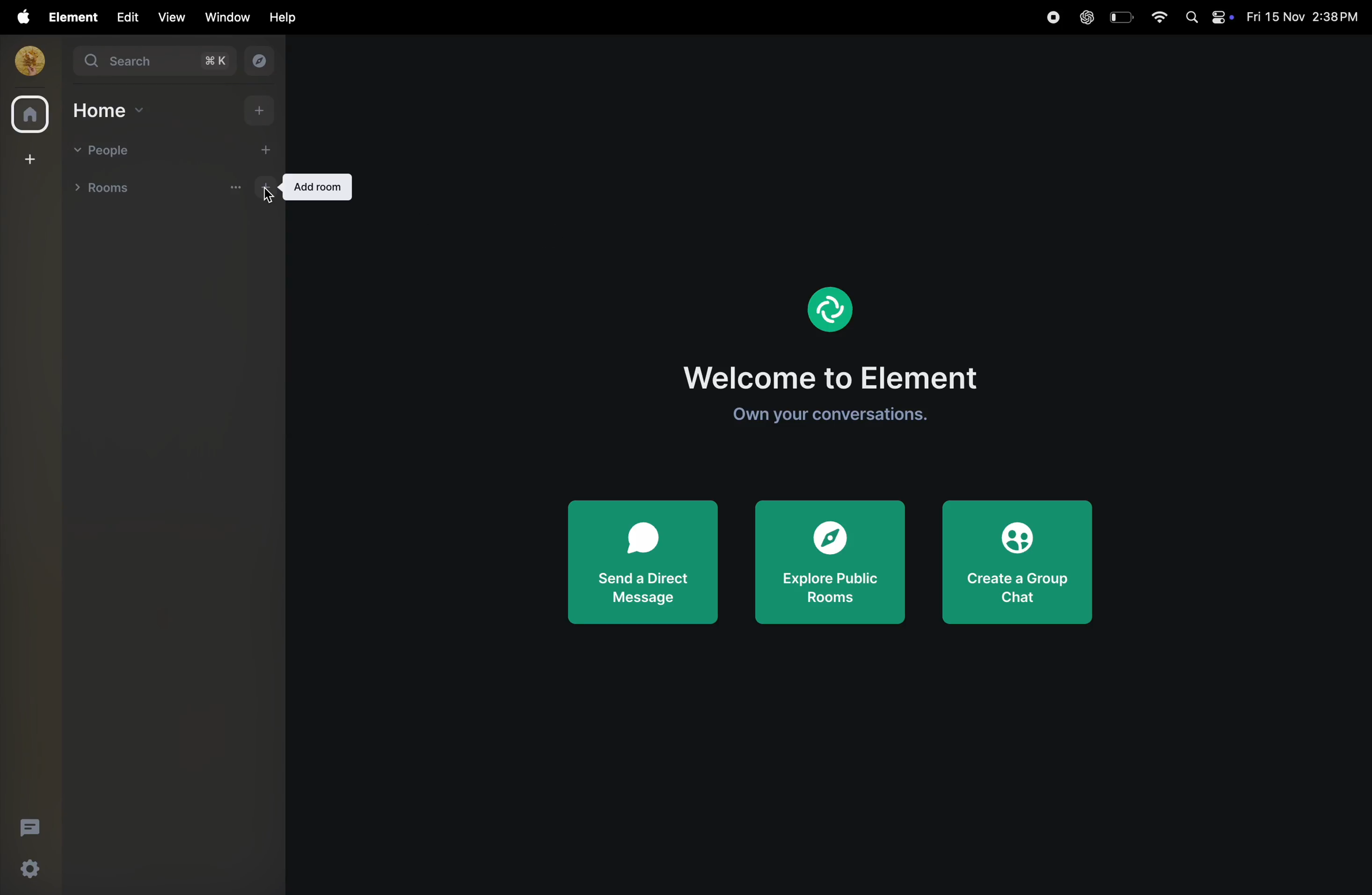 Image resolution: width=1372 pixels, height=895 pixels. I want to click on more options, so click(236, 188).